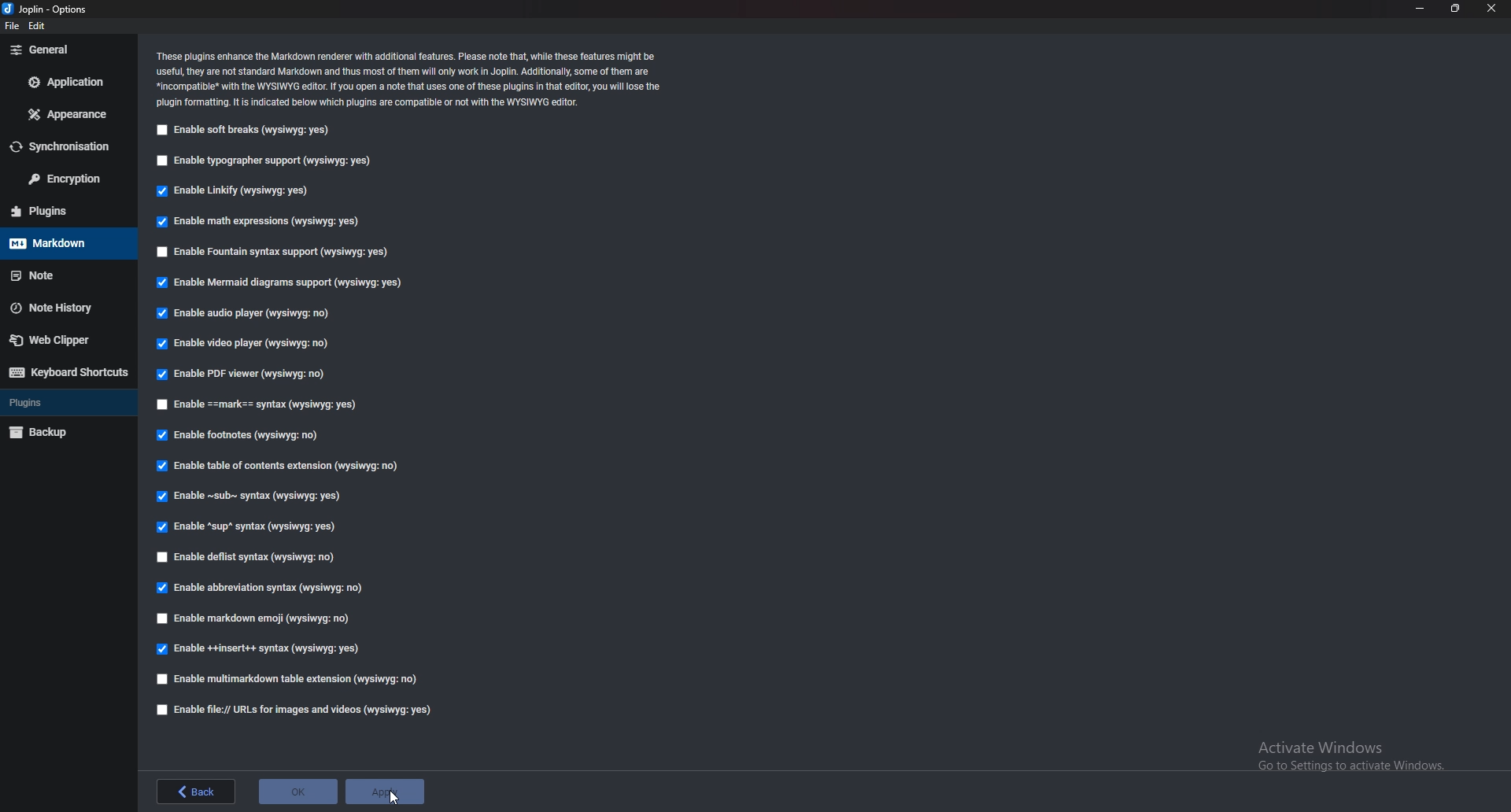  What do you see at coordinates (247, 342) in the screenshot?
I see `Enable video player` at bounding box center [247, 342].